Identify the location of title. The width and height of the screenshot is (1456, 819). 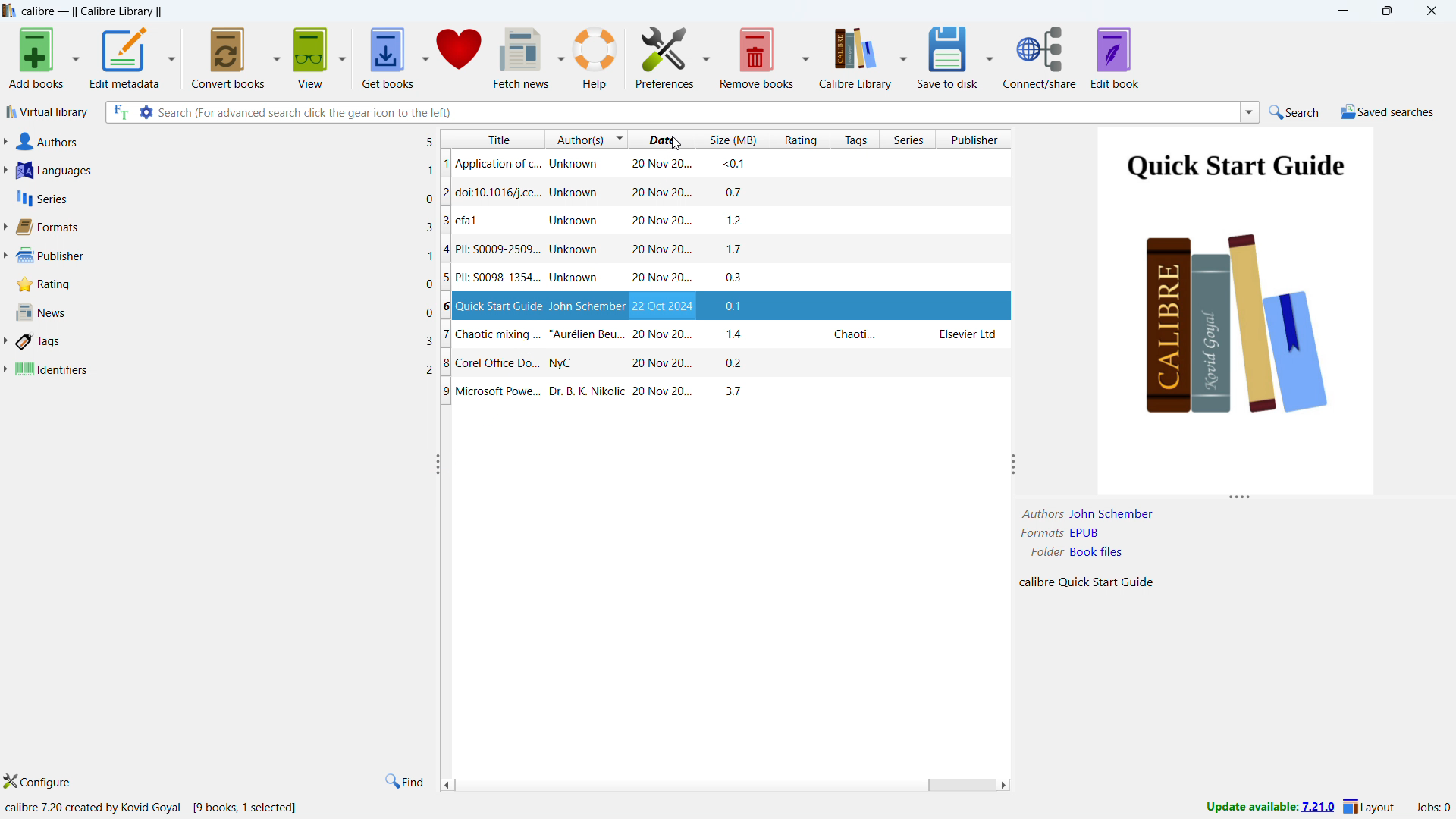
(492, 140).